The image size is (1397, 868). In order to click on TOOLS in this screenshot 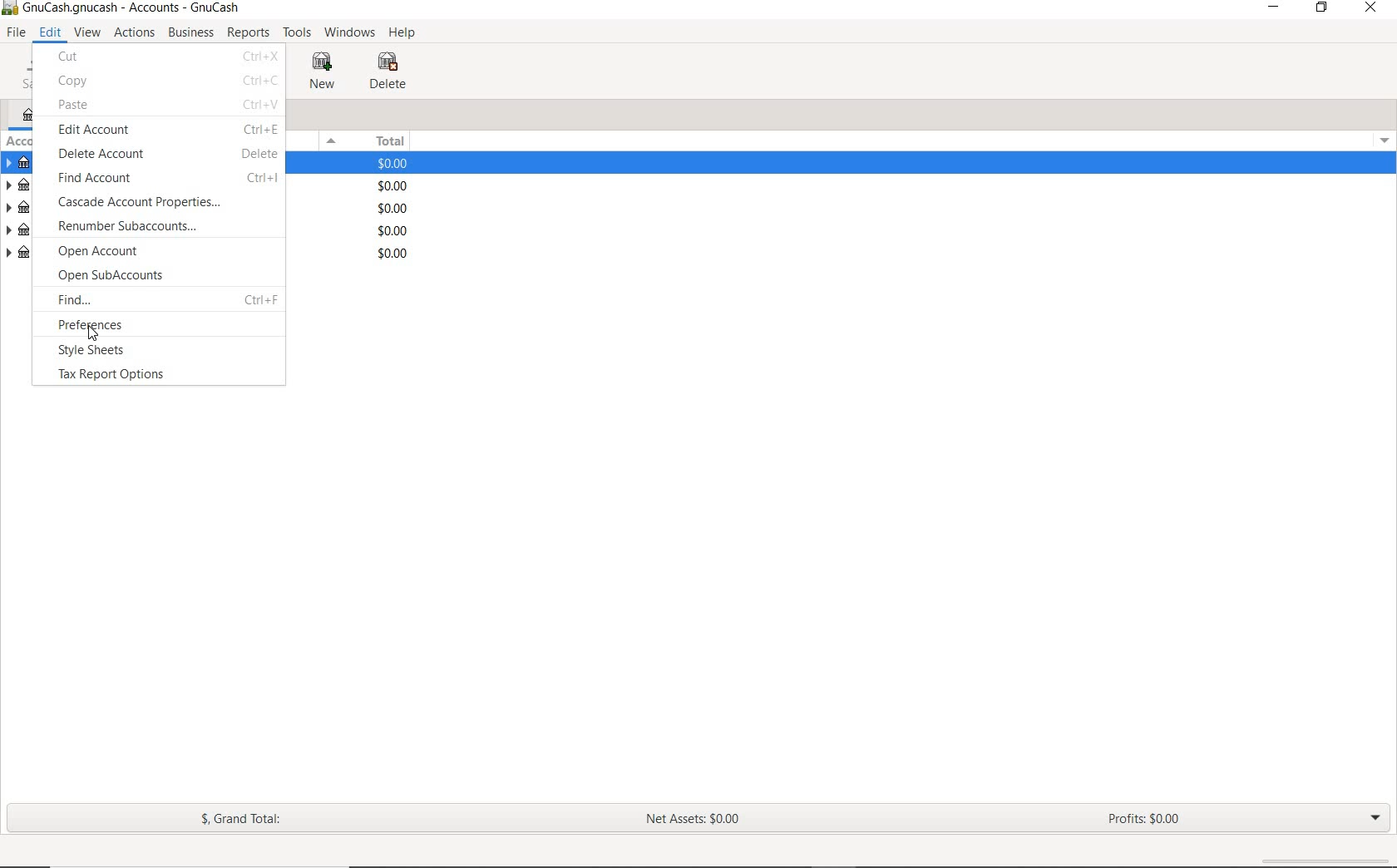, I will do `click(297, 33)`.